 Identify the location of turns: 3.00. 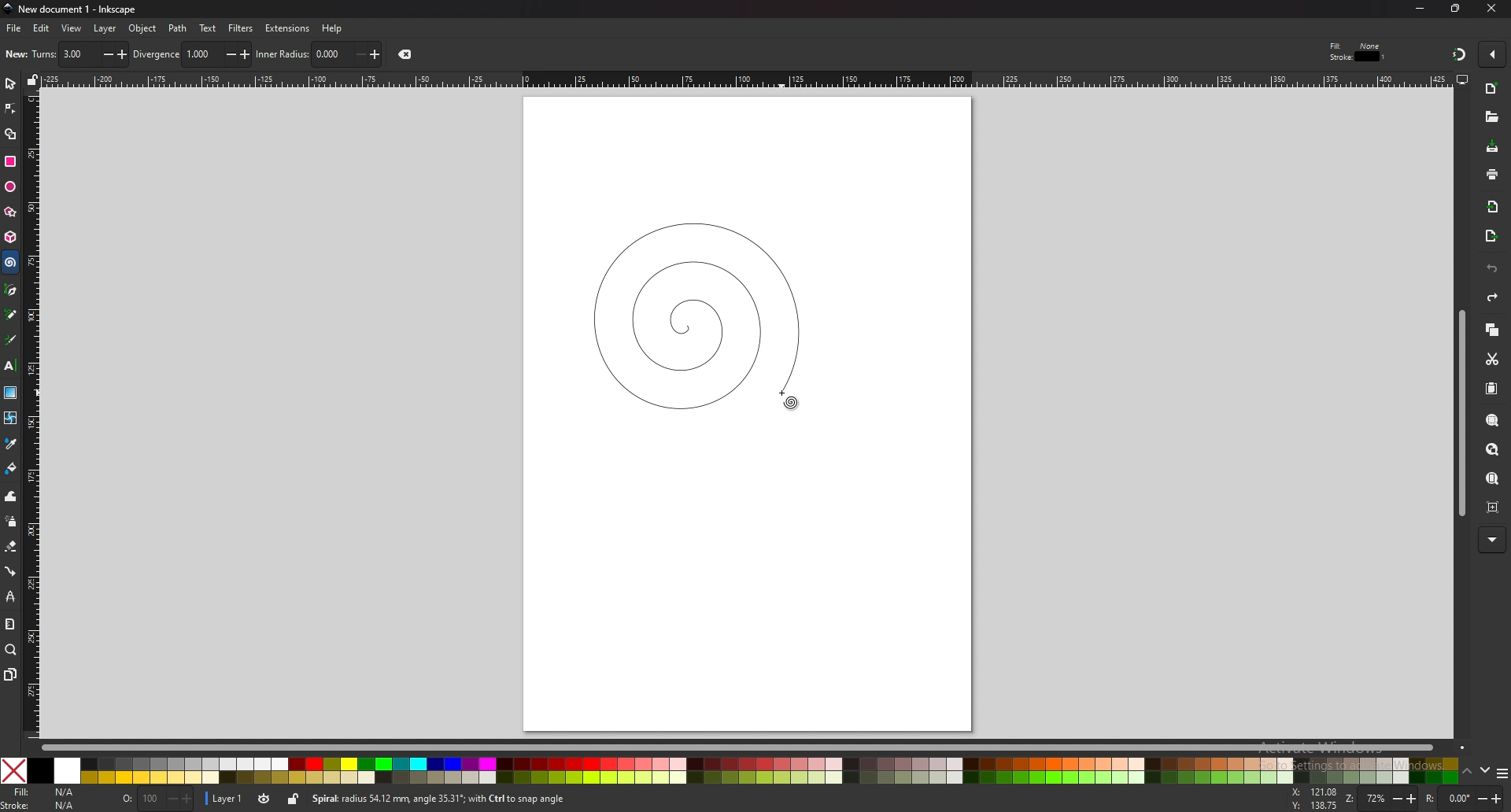
(80, 54).